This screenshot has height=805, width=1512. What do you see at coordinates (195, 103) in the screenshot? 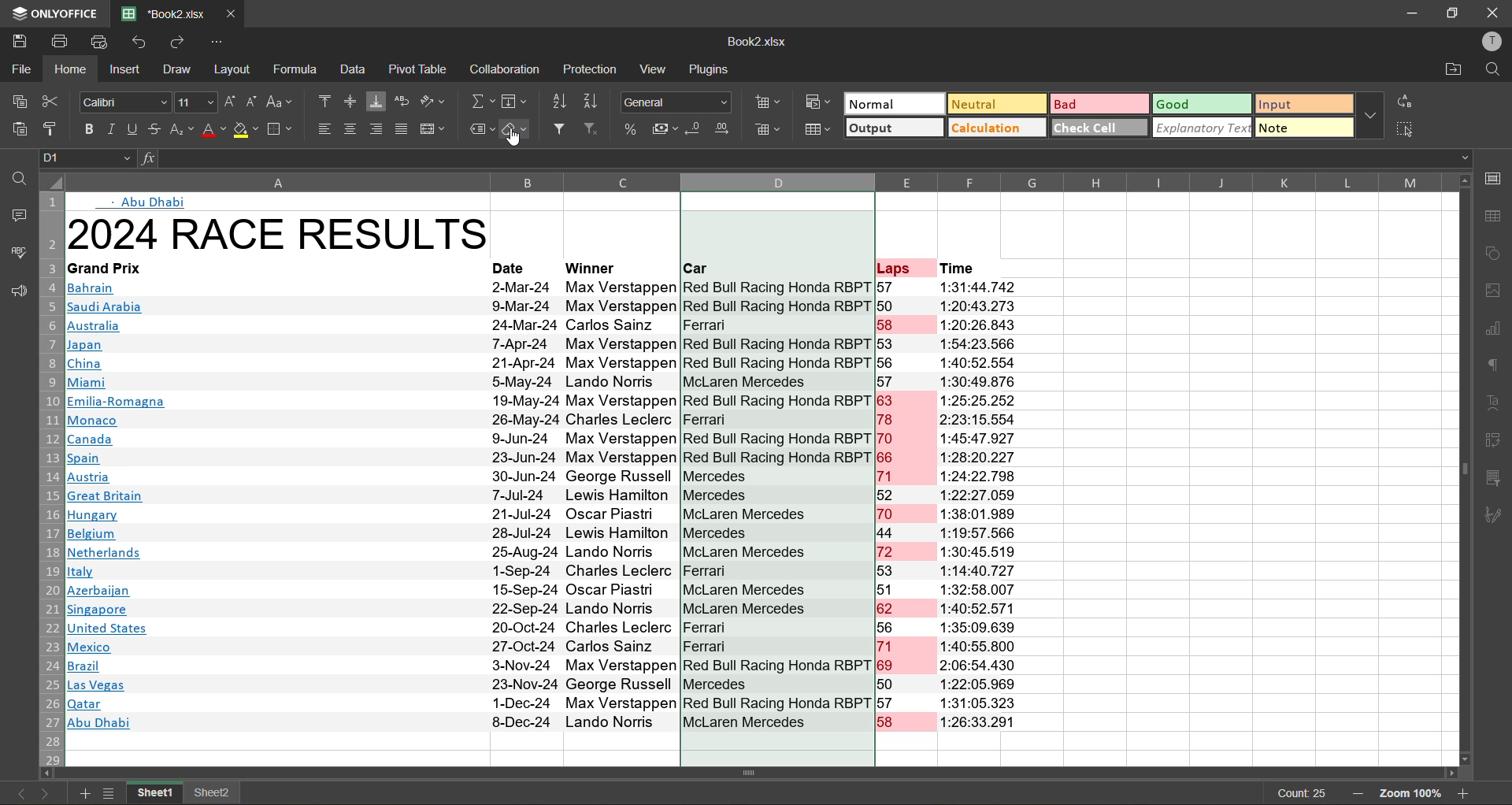
I see `11` at bounding box center [195, 103].